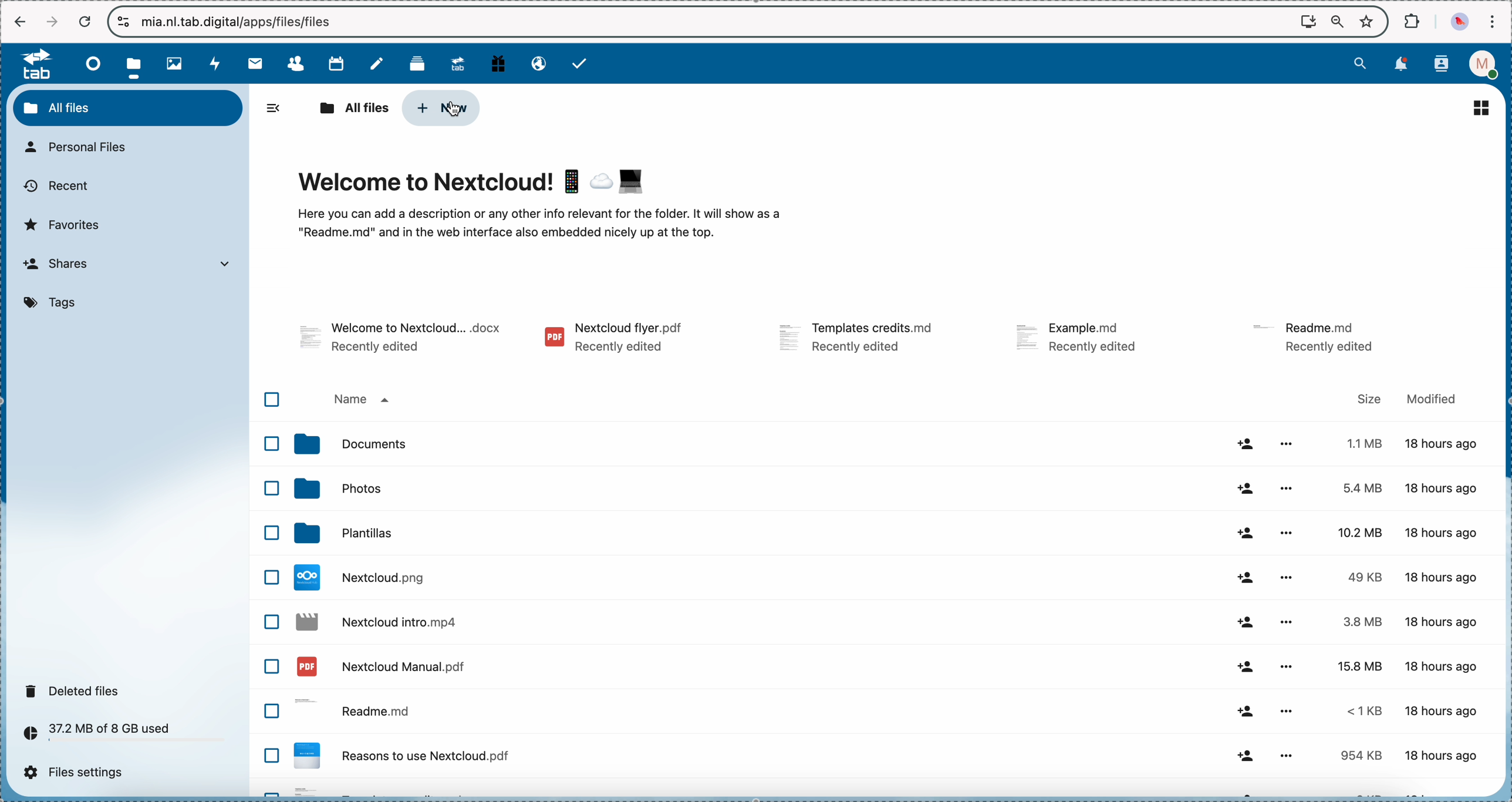 The image size is (1512, 802). Describe the element at coordinates (542, 205) in the screenshot. I see `welcome to Nextcloud` at that location.